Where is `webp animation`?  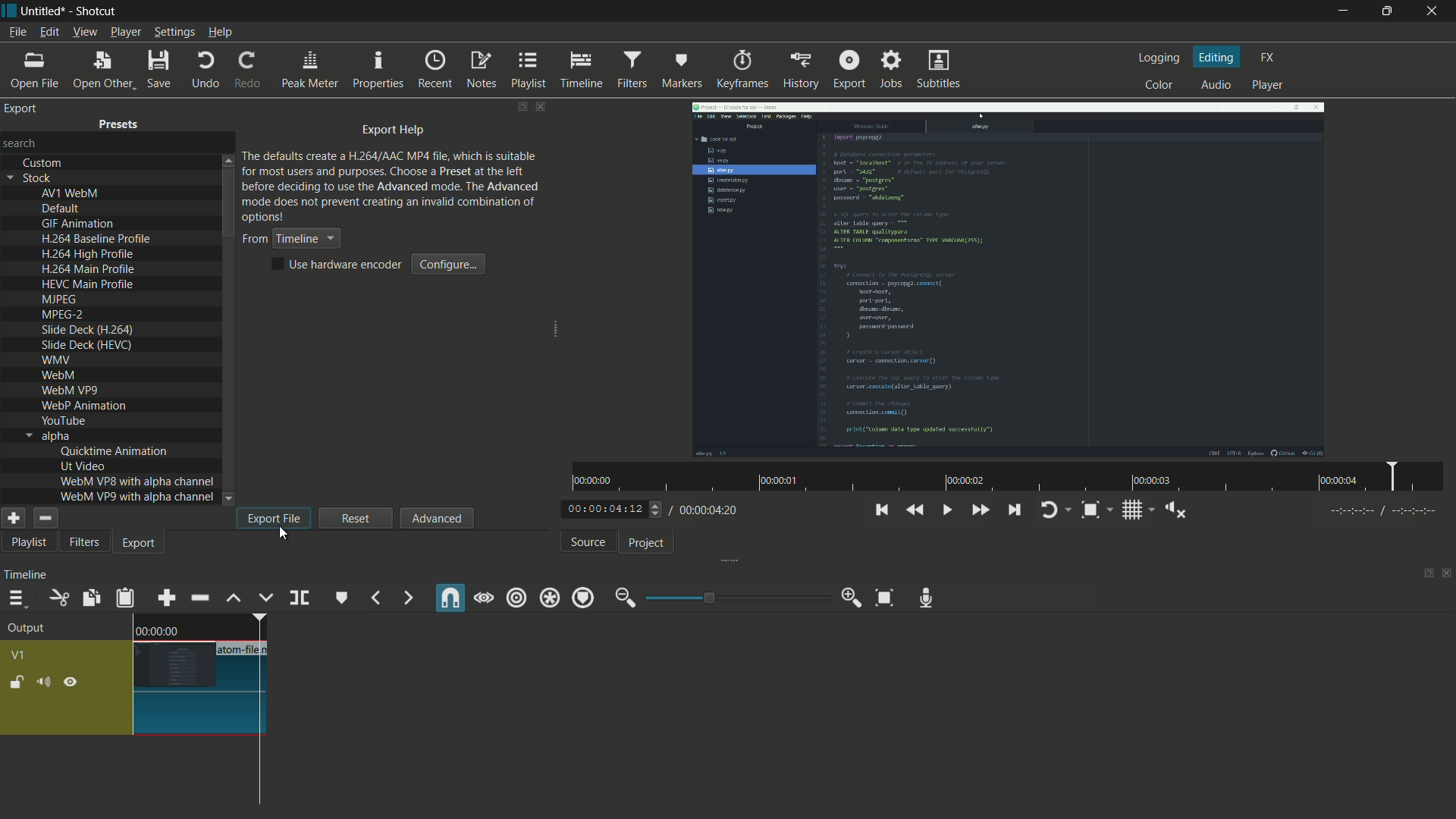 webp animation is located at coordinates (83, 406).